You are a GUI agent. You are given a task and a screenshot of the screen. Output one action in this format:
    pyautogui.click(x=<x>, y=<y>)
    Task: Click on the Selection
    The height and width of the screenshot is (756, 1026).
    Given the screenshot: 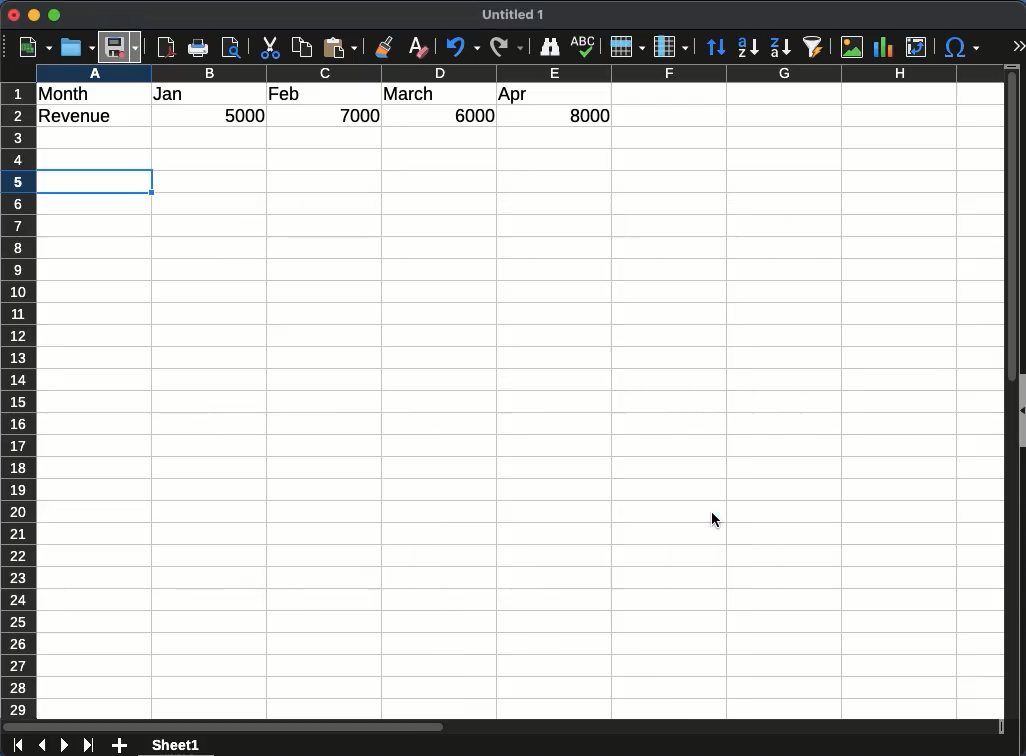 What is the action you would take?
    pyautogui.click(x=97, y=182)
    